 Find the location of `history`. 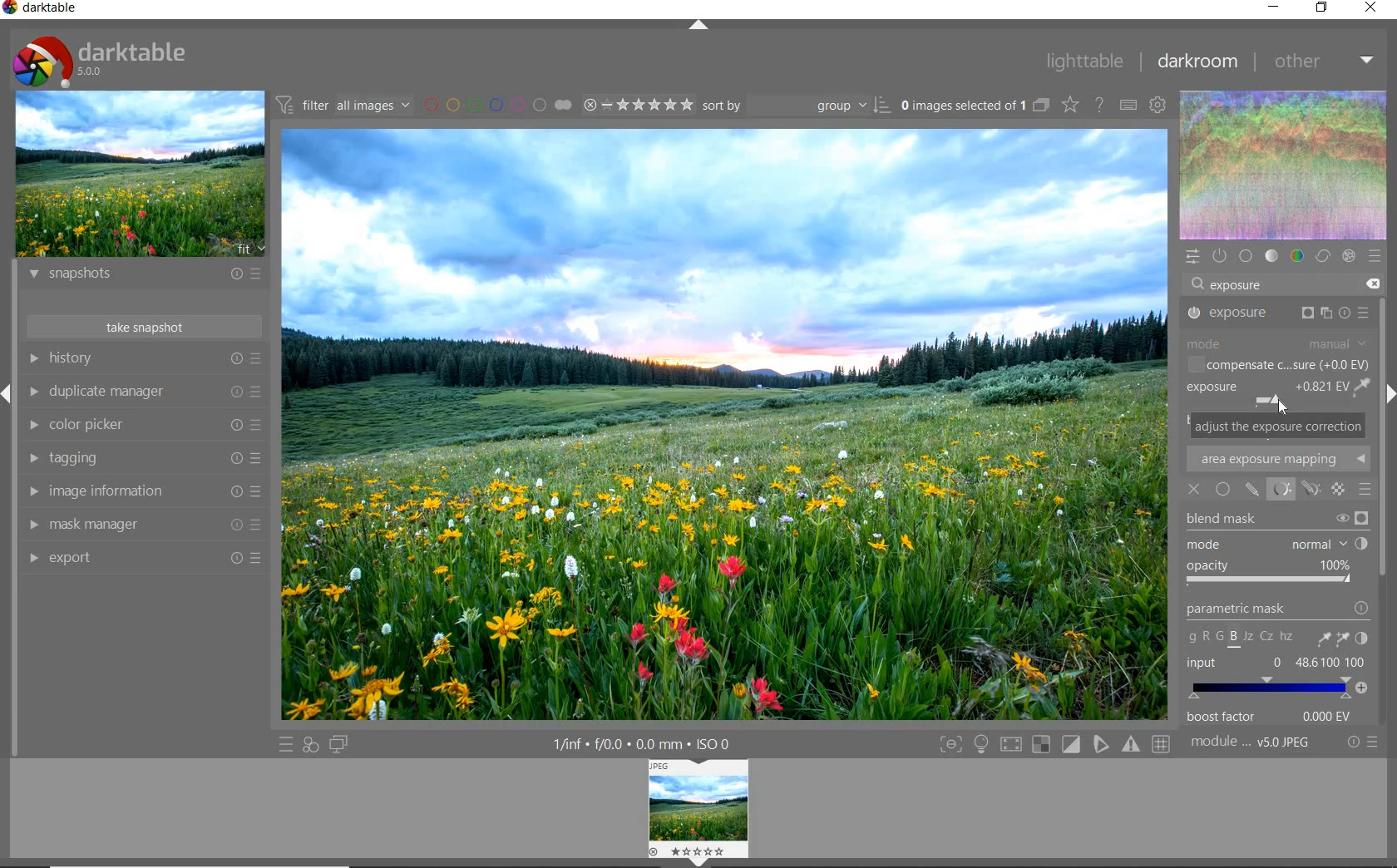

history is located at coordinates (143, 358).